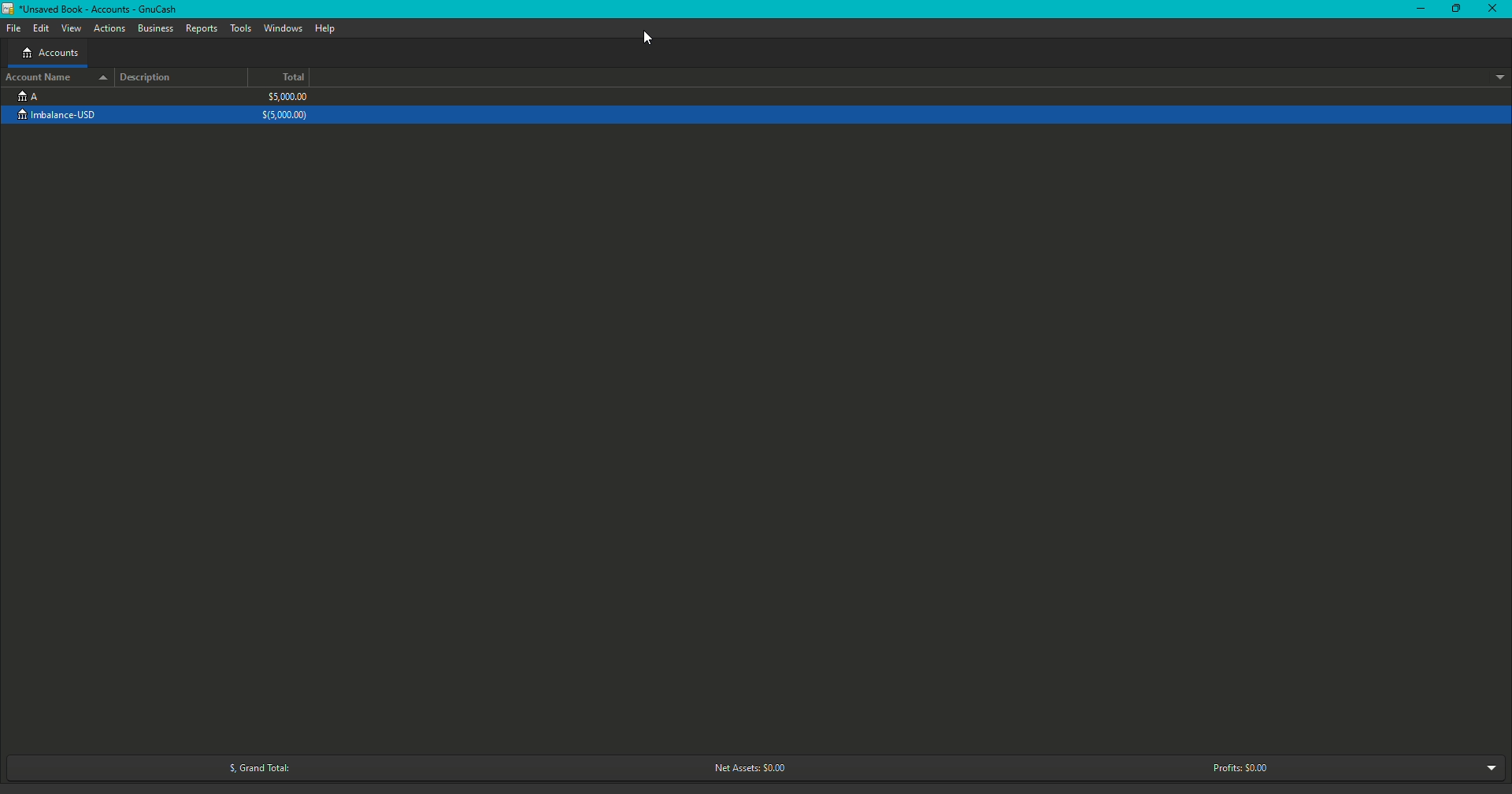  What do you see at coordinates (294, 78) in the screenshot?
I see `Total` at bounding box center [294, 78].